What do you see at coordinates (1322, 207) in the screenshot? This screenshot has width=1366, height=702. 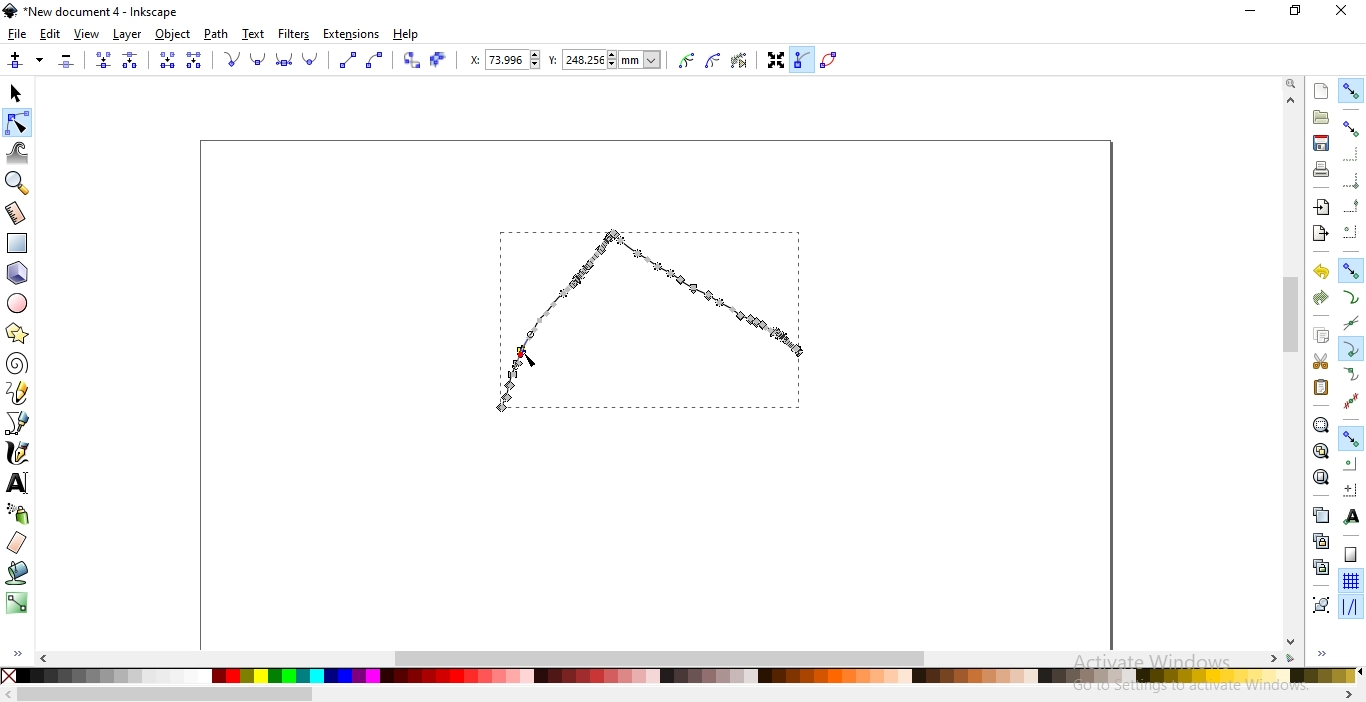 I see `import a bitmap` at bounding box center [1322, 207].